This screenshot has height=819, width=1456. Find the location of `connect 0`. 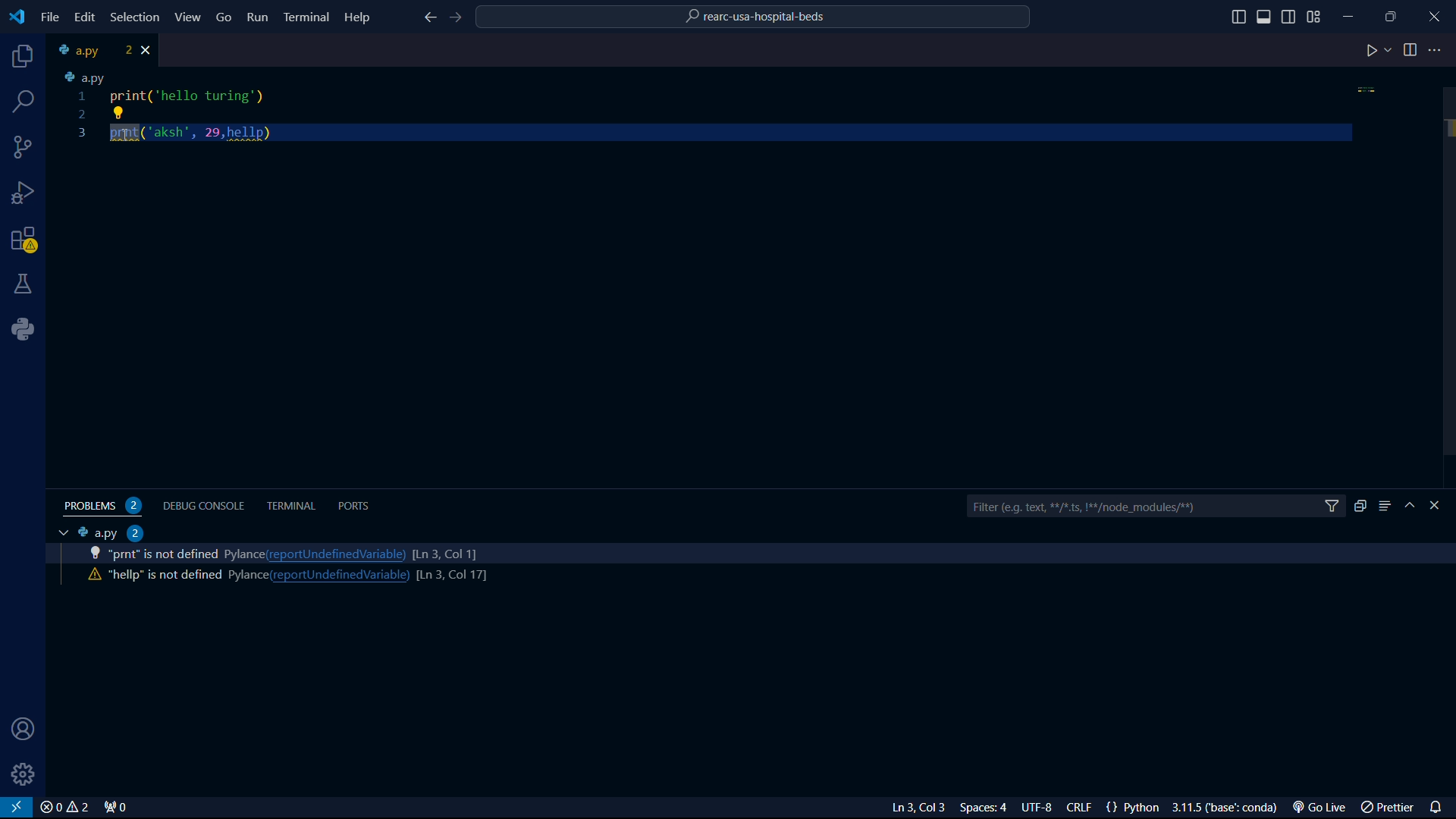

connect 0 is located at coordinates (118, 808).